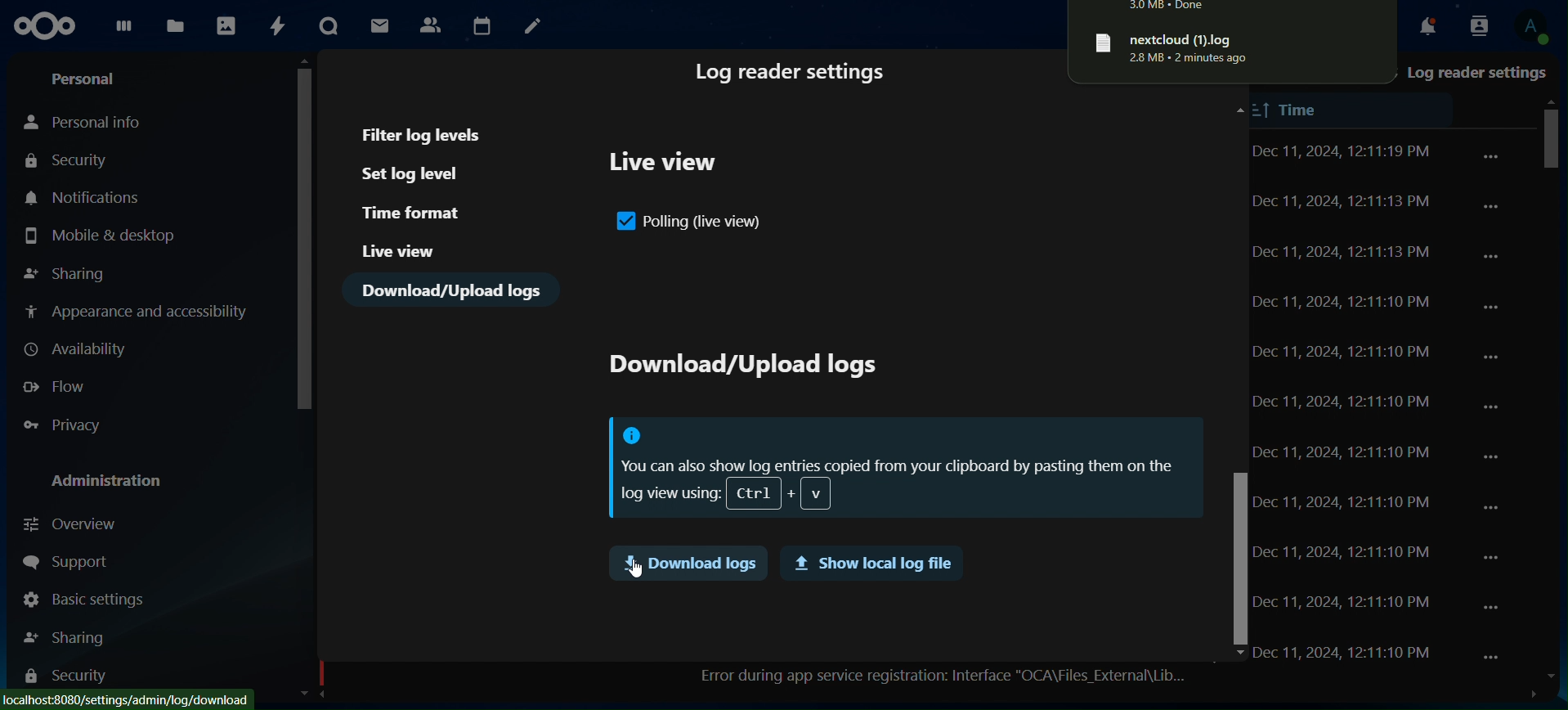 Image resolution: width=1568 pixels, height=710 pixels. Describe the element at coordinates (424, 134) in the screenshot. I see `filter log levels` at that location.